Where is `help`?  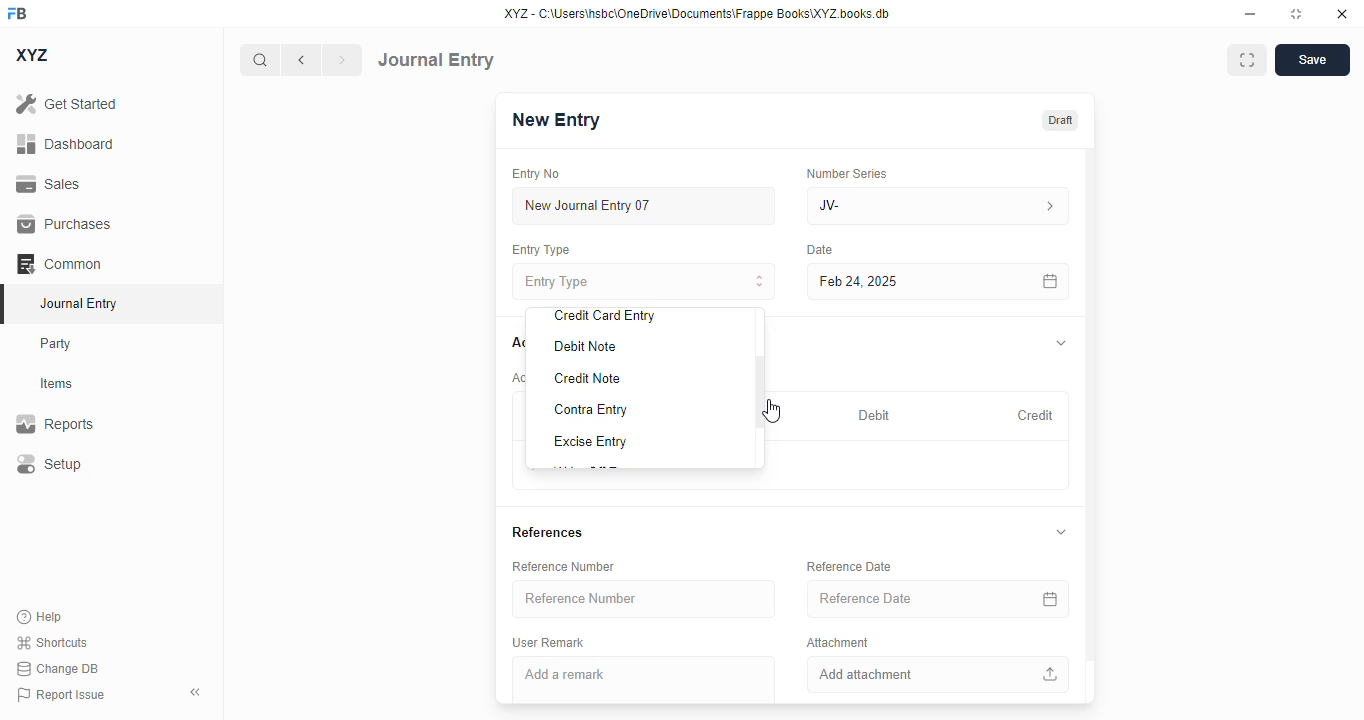
help is located at coordinates (40, 617).